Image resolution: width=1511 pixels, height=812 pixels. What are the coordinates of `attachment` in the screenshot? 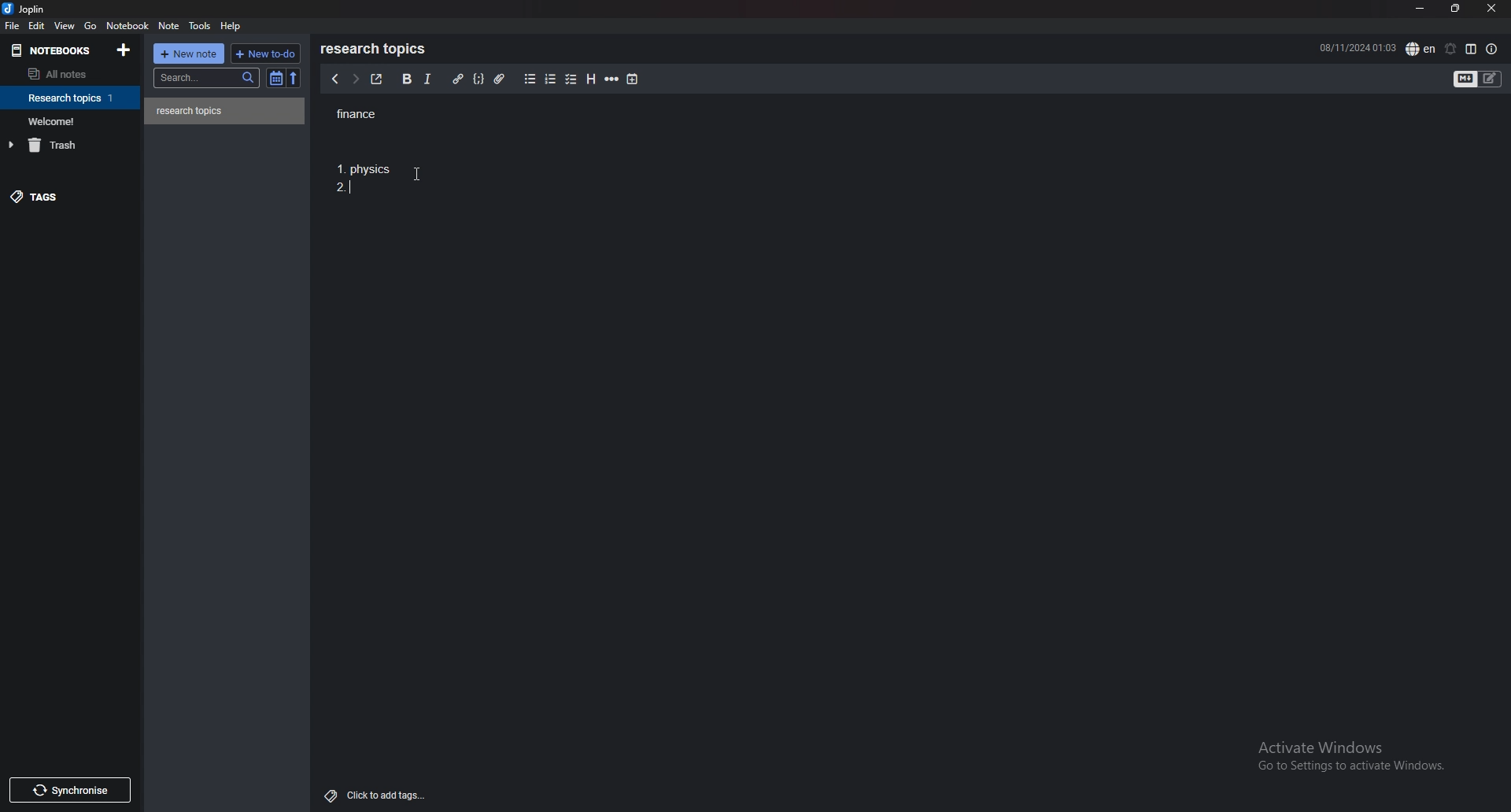 It's located at (499, 78).